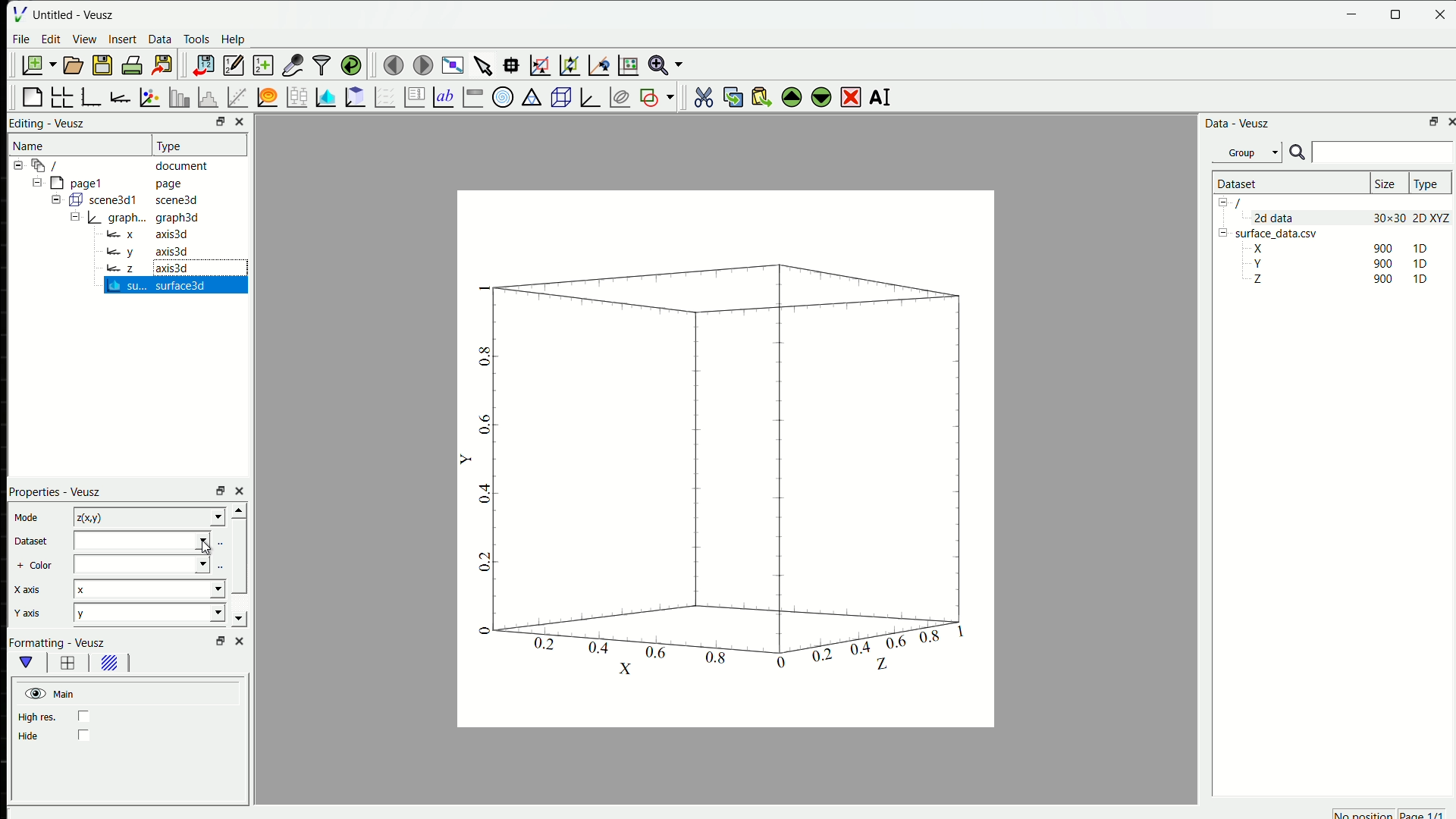 The width and height of the screenshot is (1456, 819). Describe the element at coordinates (356, 96) in the screenshot. I see `plot a 2D dataset as contours` at that location.